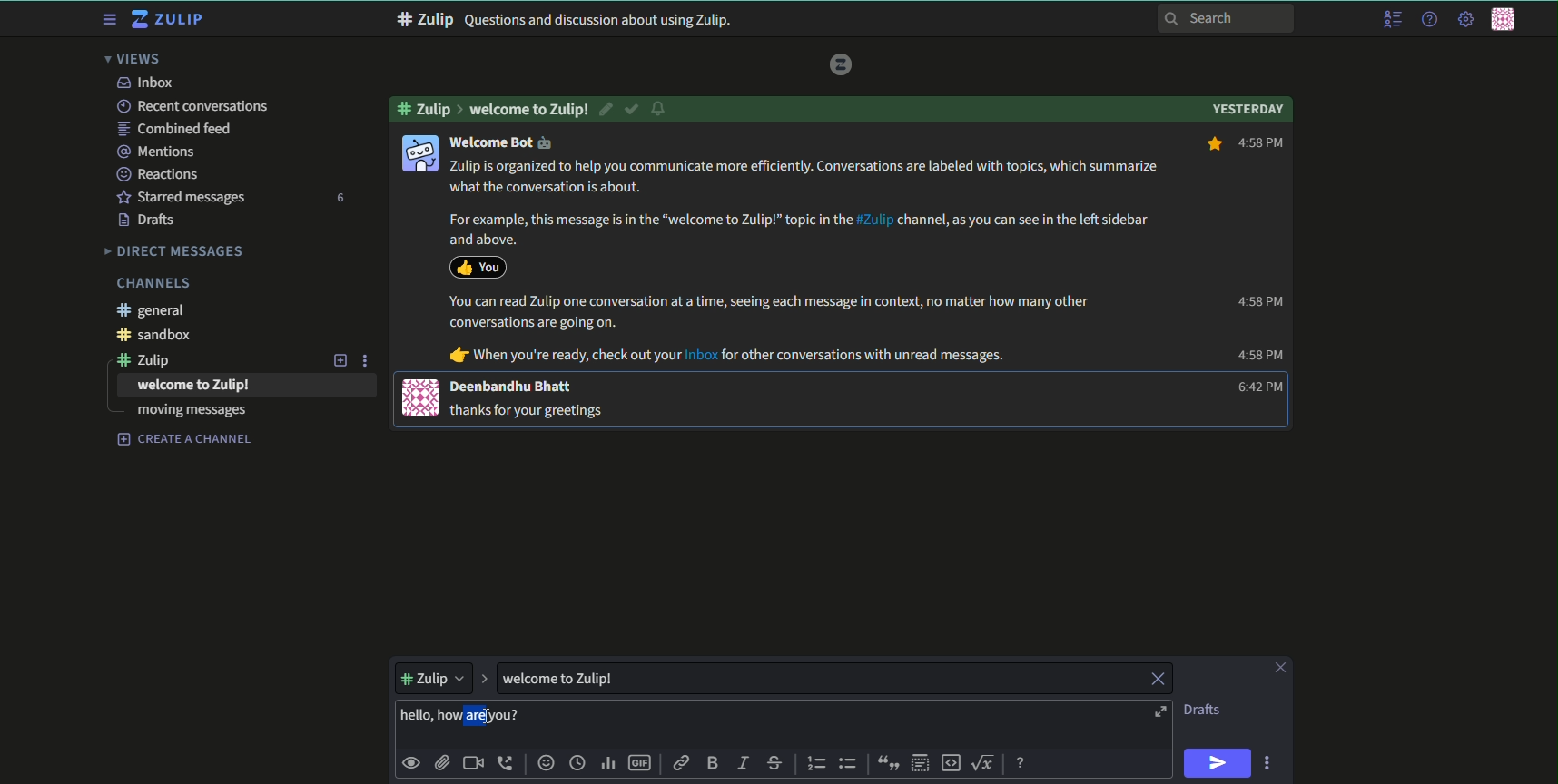 This screenshot has width=1558, height=784. I want to click on resolved, so click(633, 109).